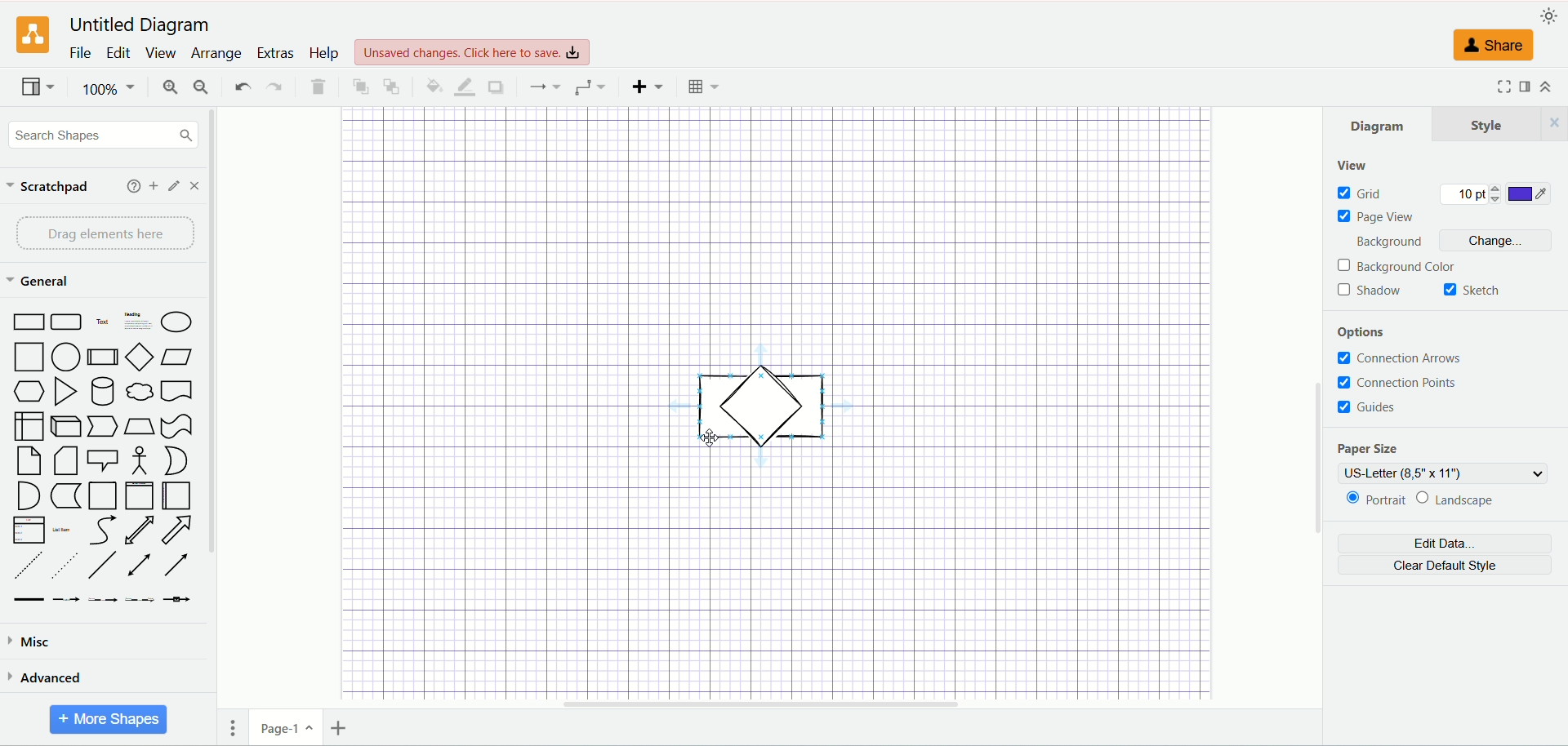  What do you see at coordinates (180, 565) in the screenshot?
I see `Directional Arrow` at bounding box center [180, 565].